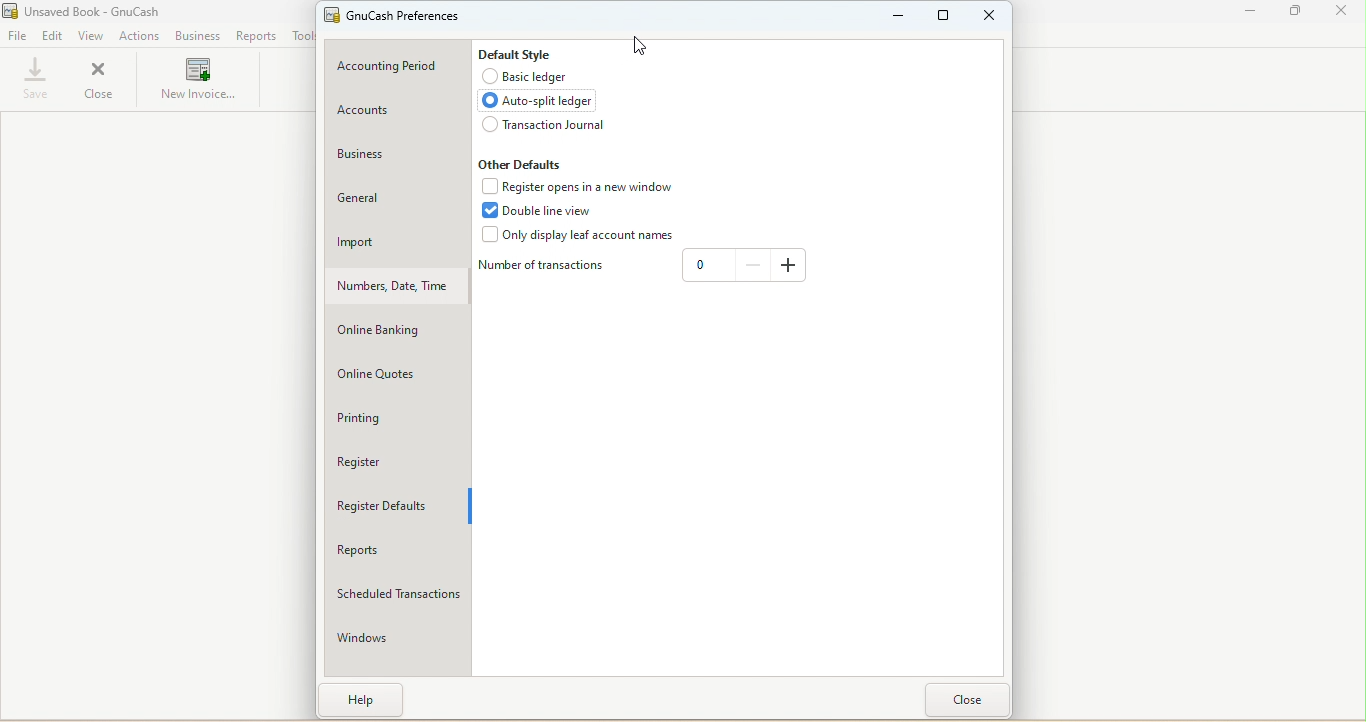  What do you see at coordinates (577, 237) in the screenshot?
I see `Only display leaf account names` at bounding box center [577, 237].